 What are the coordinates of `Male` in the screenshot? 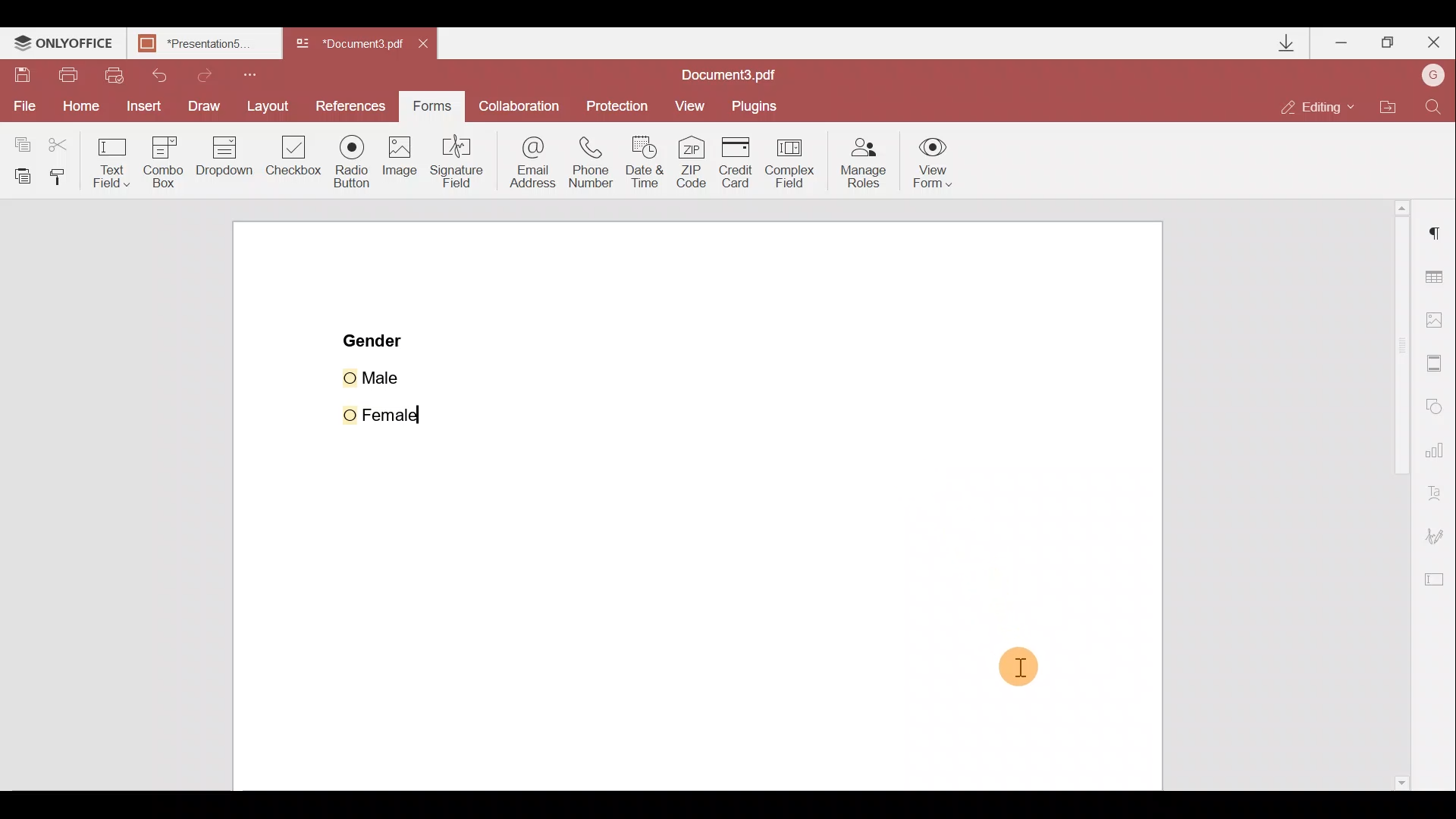 It's located at (392, 375).